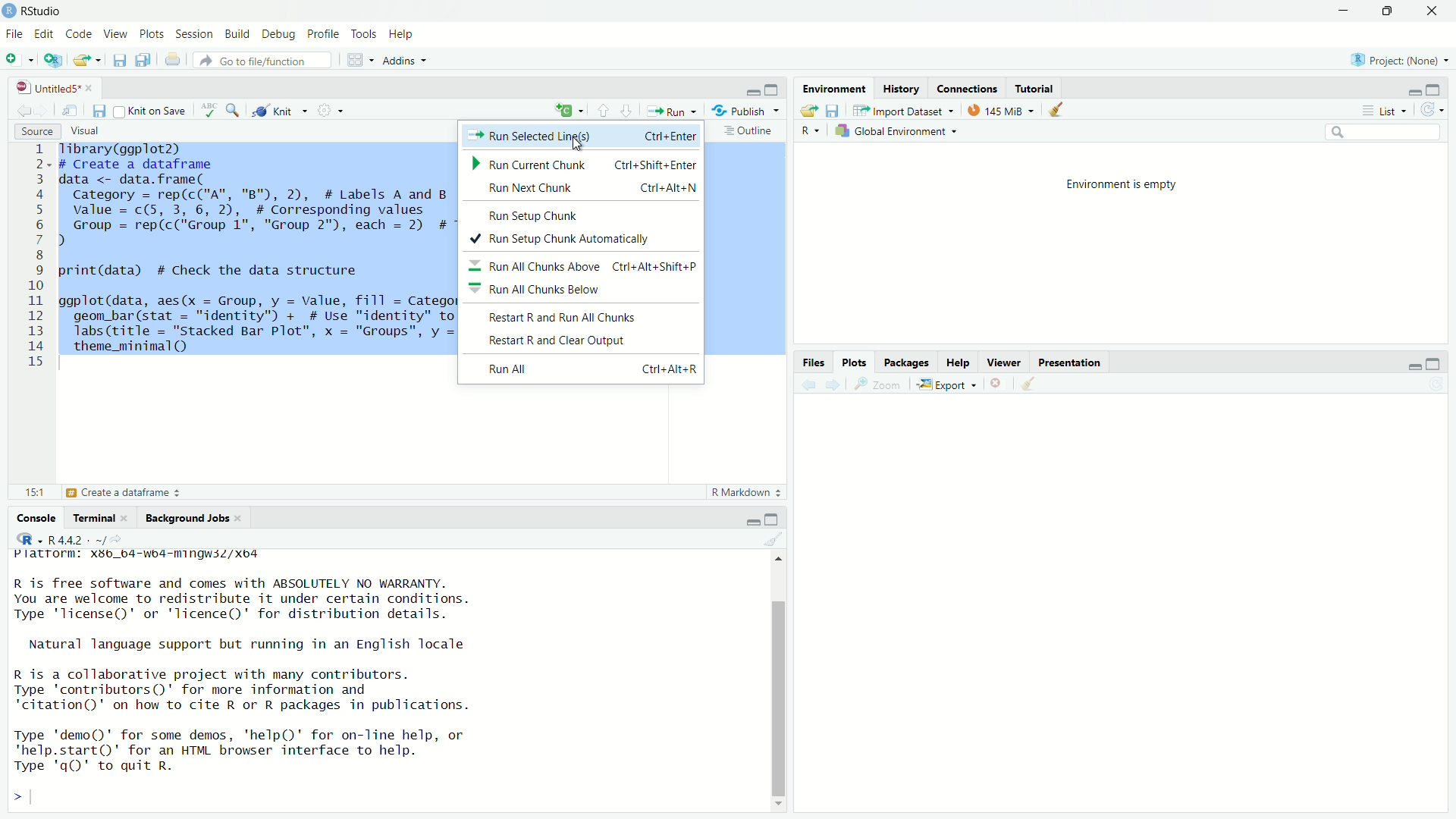  I want to click on Refresh the list of objects in the environment, so click(1434, 108).